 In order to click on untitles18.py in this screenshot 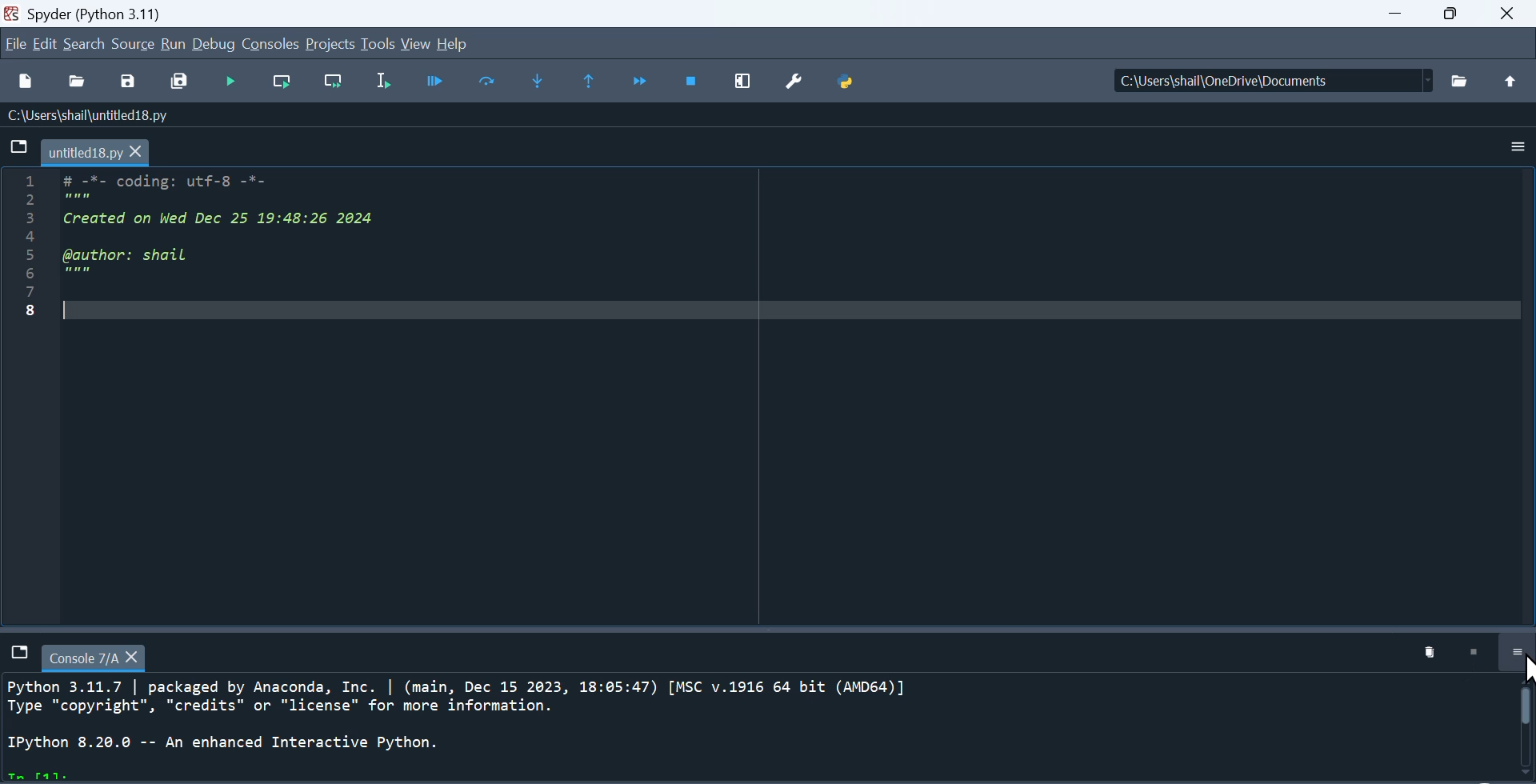, I will do `click(101, 153)`.